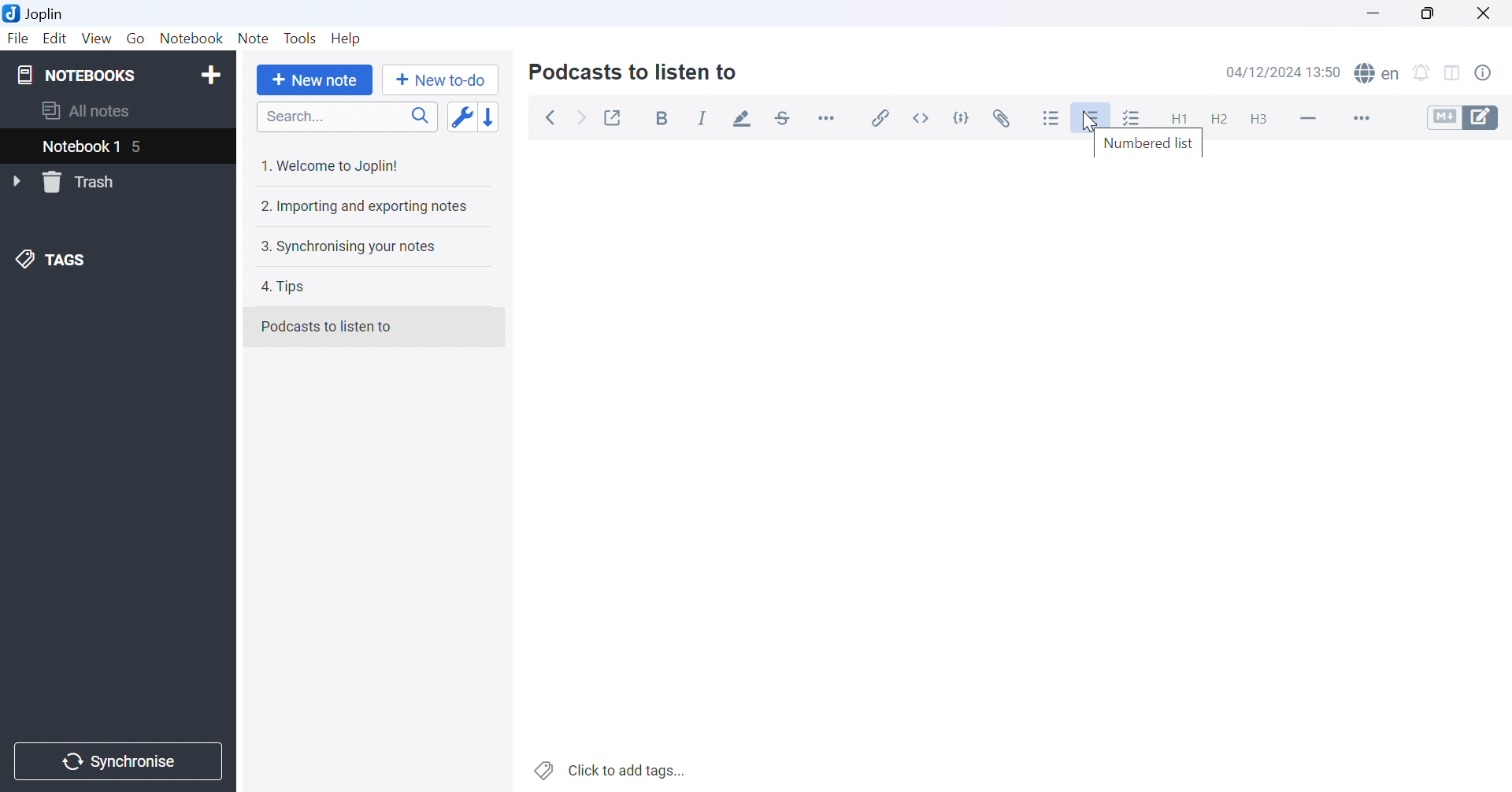  What do you see at coordinates (192, 37) in the screenshot?
I see `Notebook` at bounding box center [192, 37].